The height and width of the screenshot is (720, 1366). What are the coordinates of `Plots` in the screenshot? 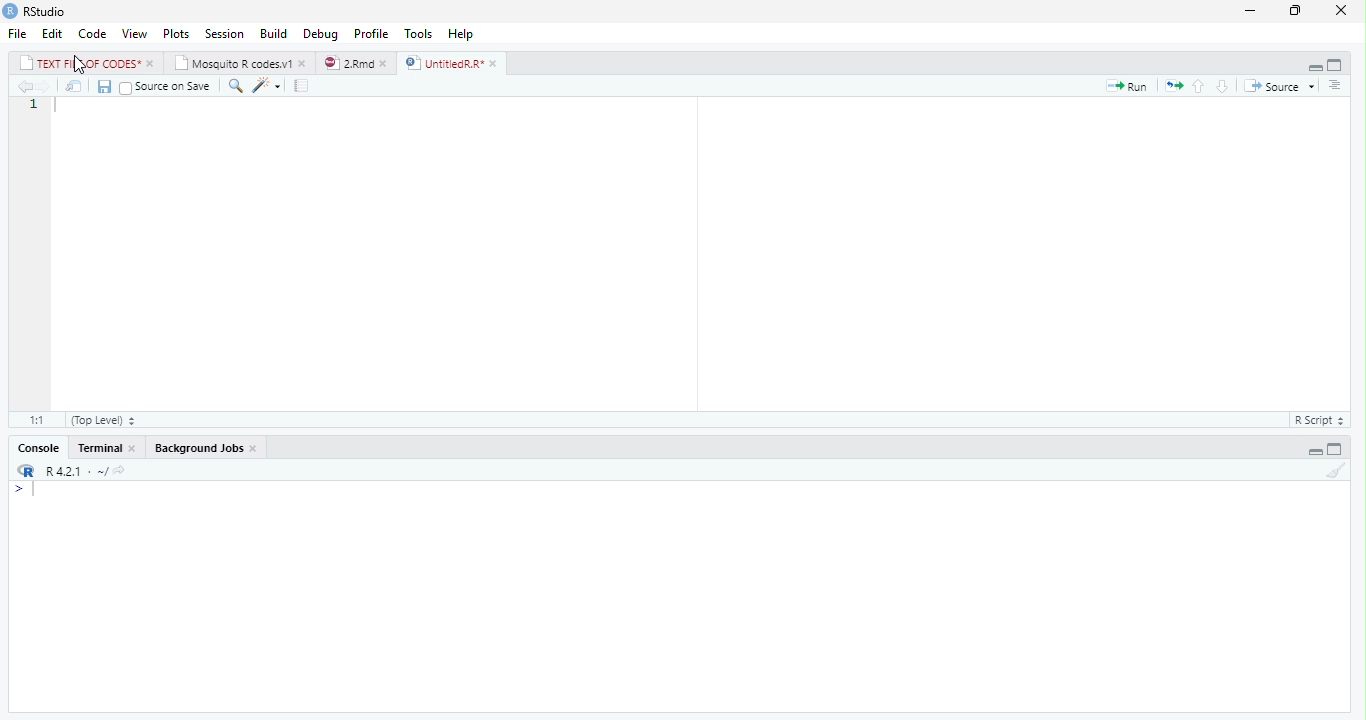 It's located at (176, 33).